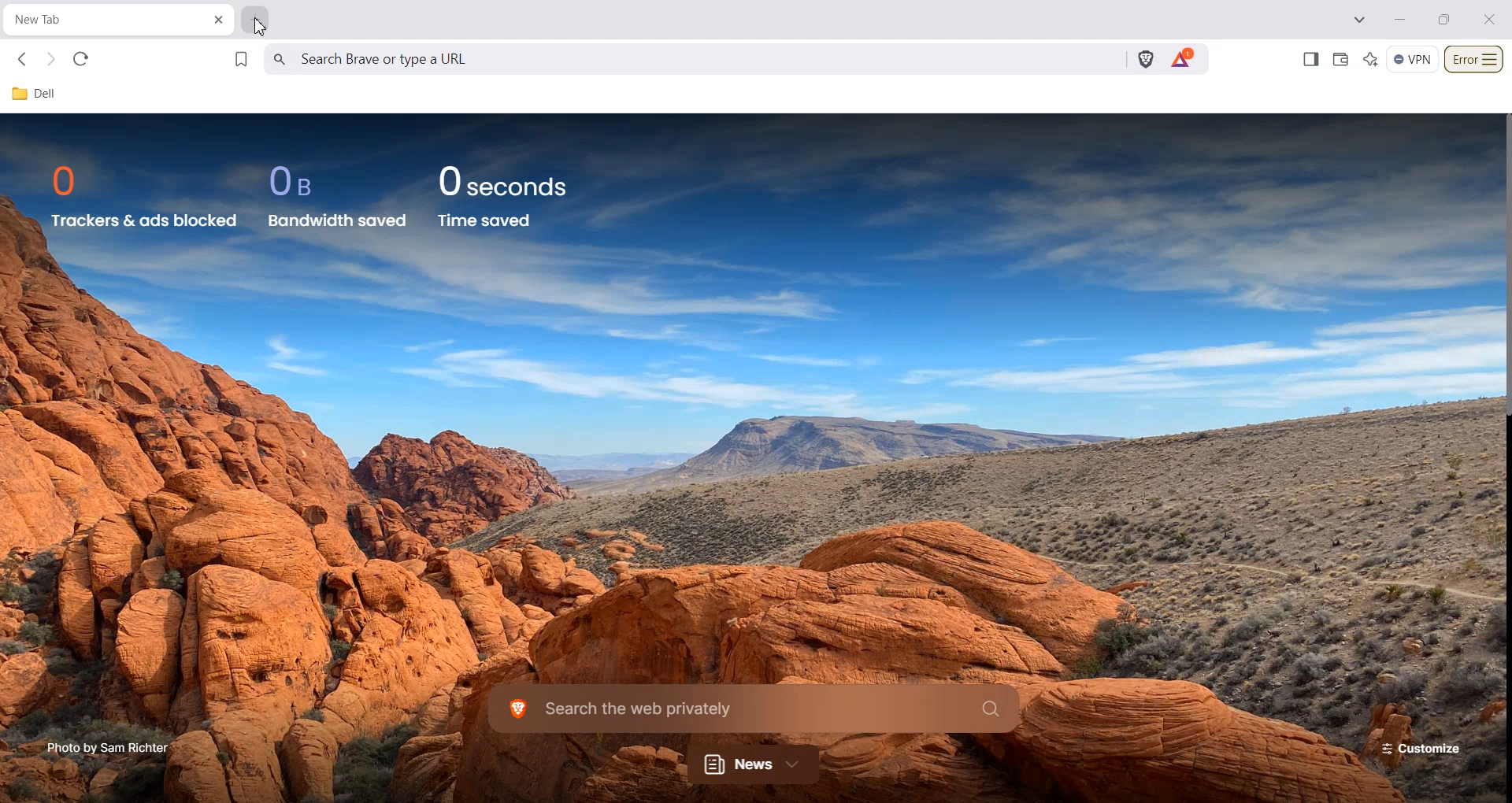  I want to click on Search Bar, so click(754, 707).